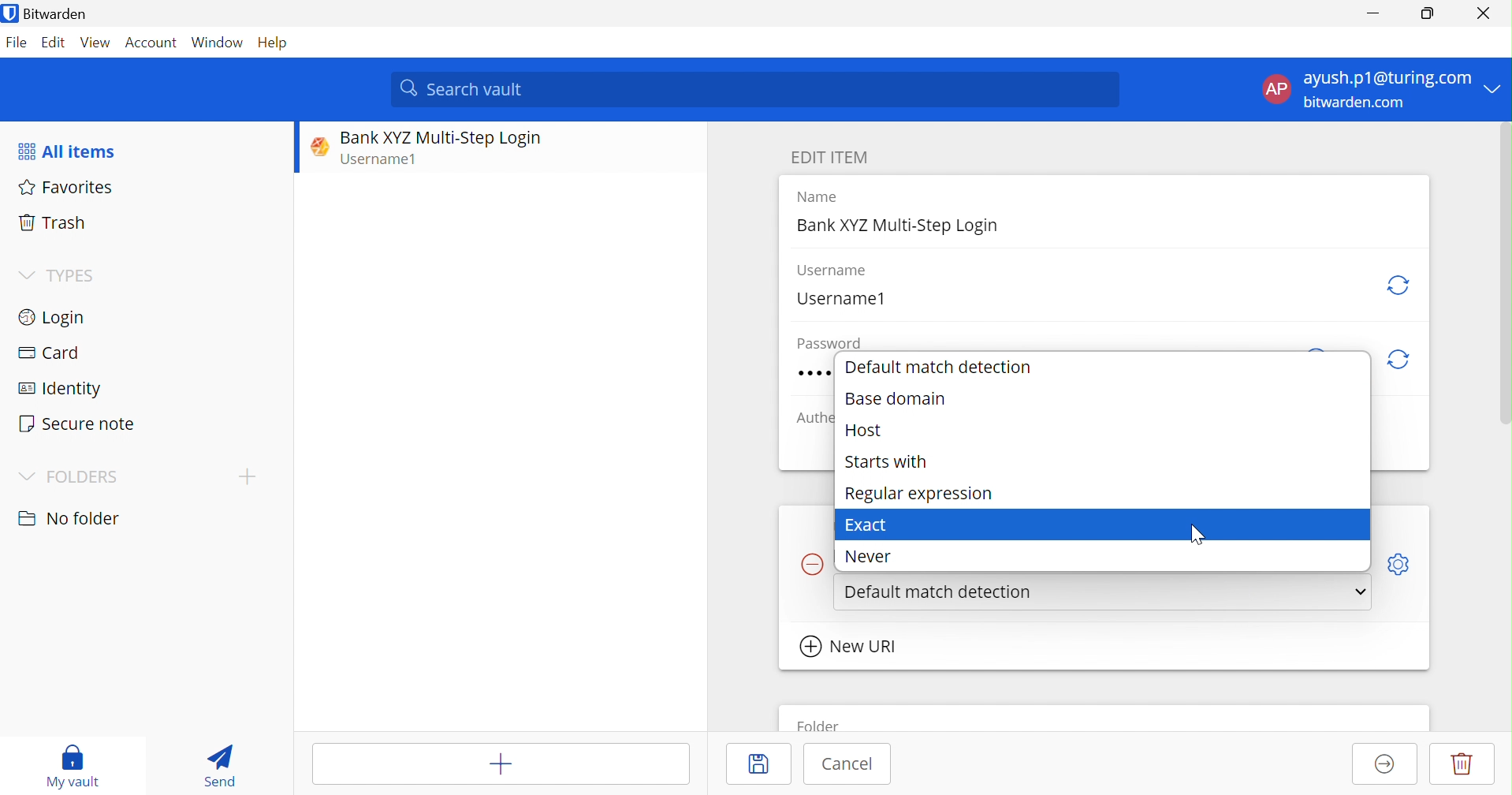 This screenshot has height=795, width=1512. What do you see at coordinates (940, 367) in the screenshot?
I see `Default match detection` at bounding box center [940, 367].